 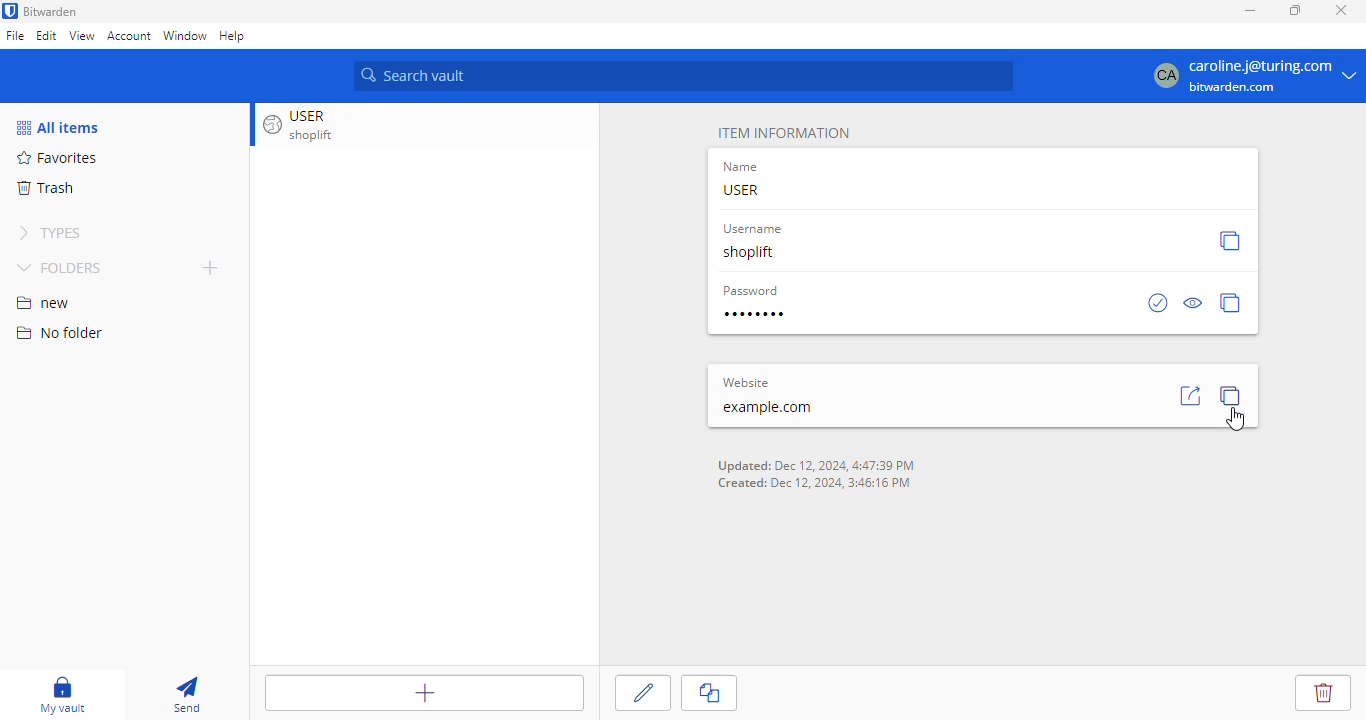 I want to click on trash, so click(x=45, y=188).